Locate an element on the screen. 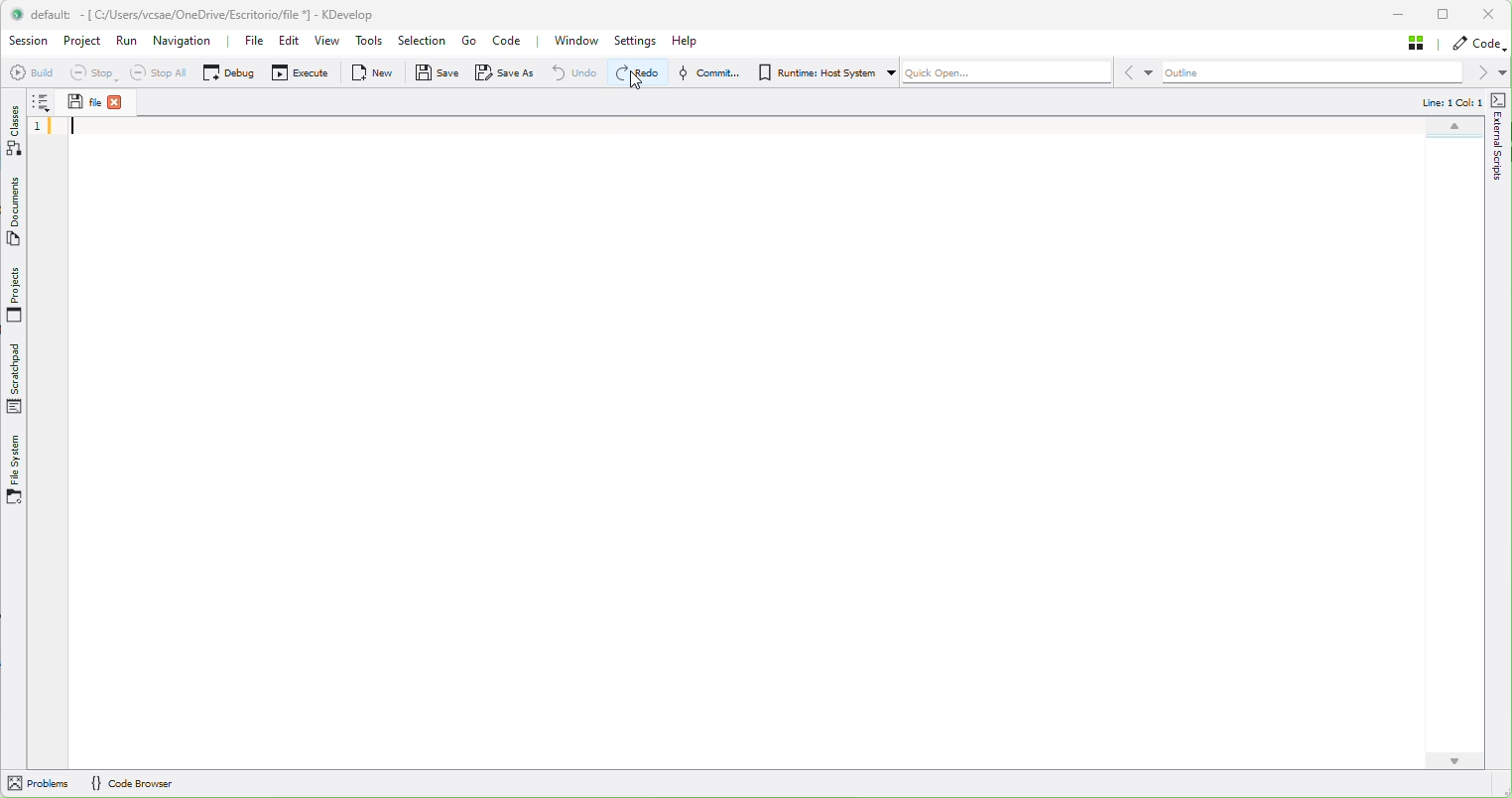 The image size is (1512, 798). Project is located at coordinates (82, 44).